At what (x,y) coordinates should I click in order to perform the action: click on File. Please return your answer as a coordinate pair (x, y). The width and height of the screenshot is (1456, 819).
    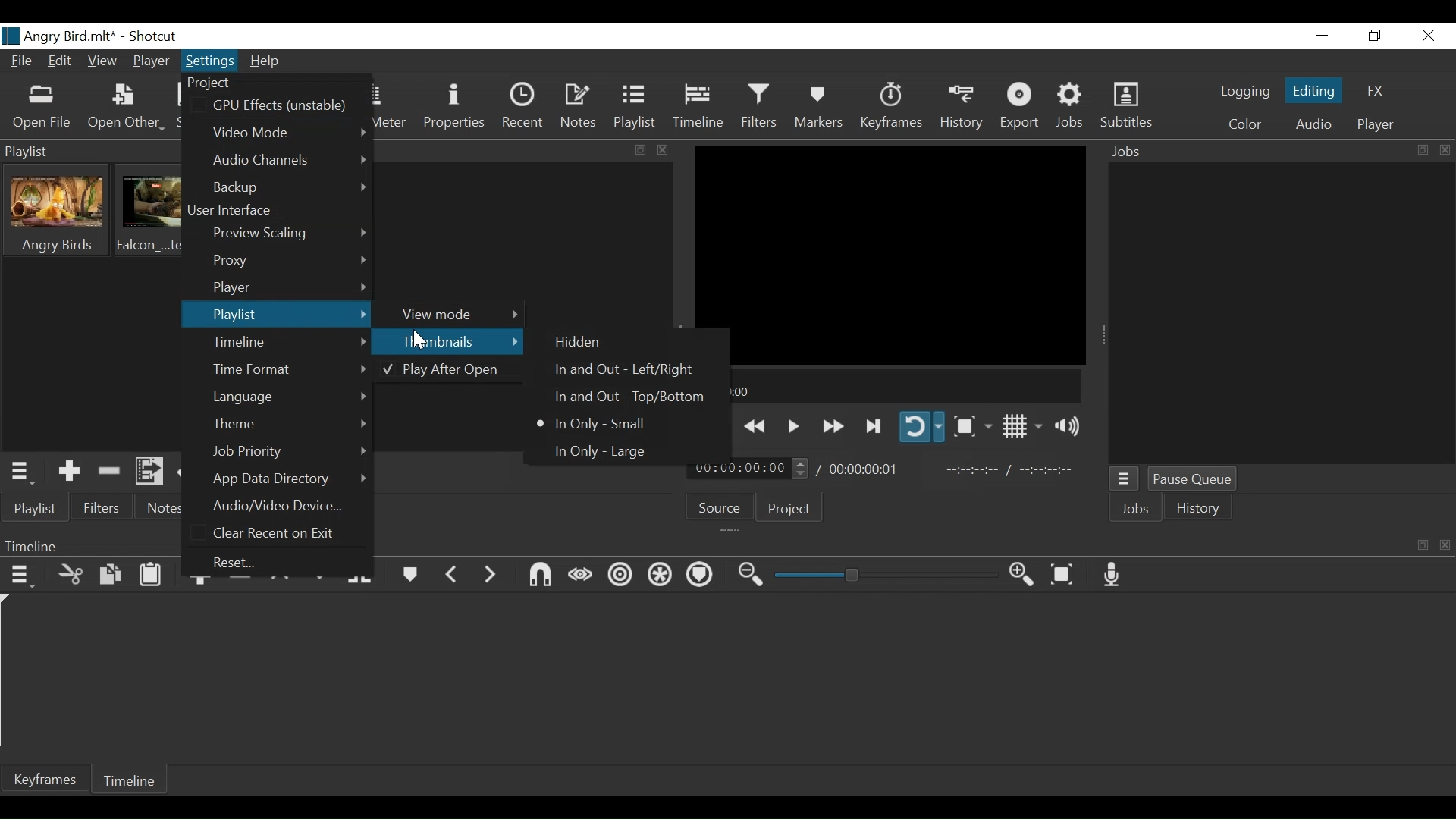
    Looking at the image, I should click on (22, 61).